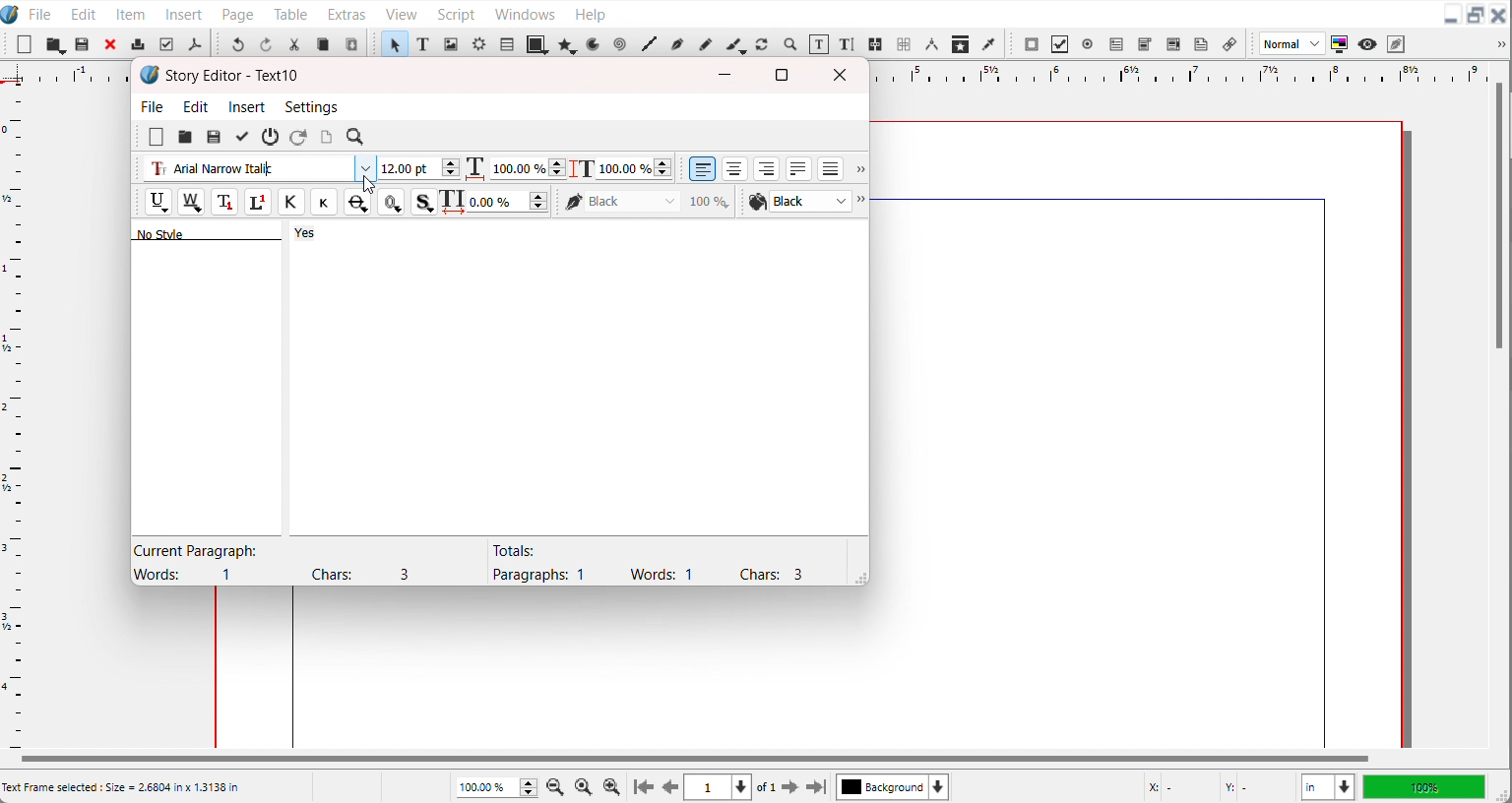 The width and height of the screenshot is (1512, 803). I want to click on Horizontal scale, so click(1173, 73).